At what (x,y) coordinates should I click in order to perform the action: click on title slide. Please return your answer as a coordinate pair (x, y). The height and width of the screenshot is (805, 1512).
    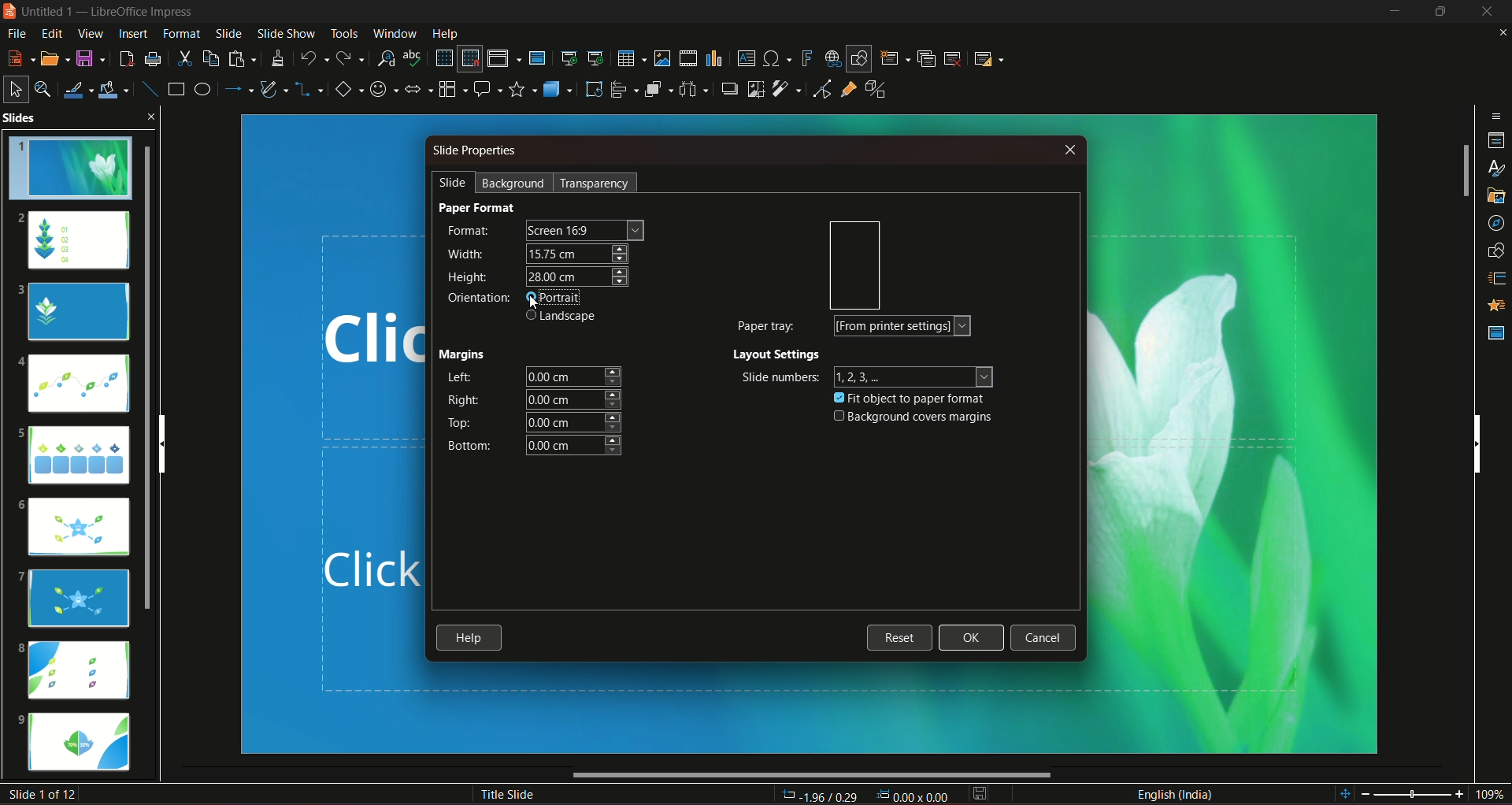
    Looking at the image, I should click on (505, 793).